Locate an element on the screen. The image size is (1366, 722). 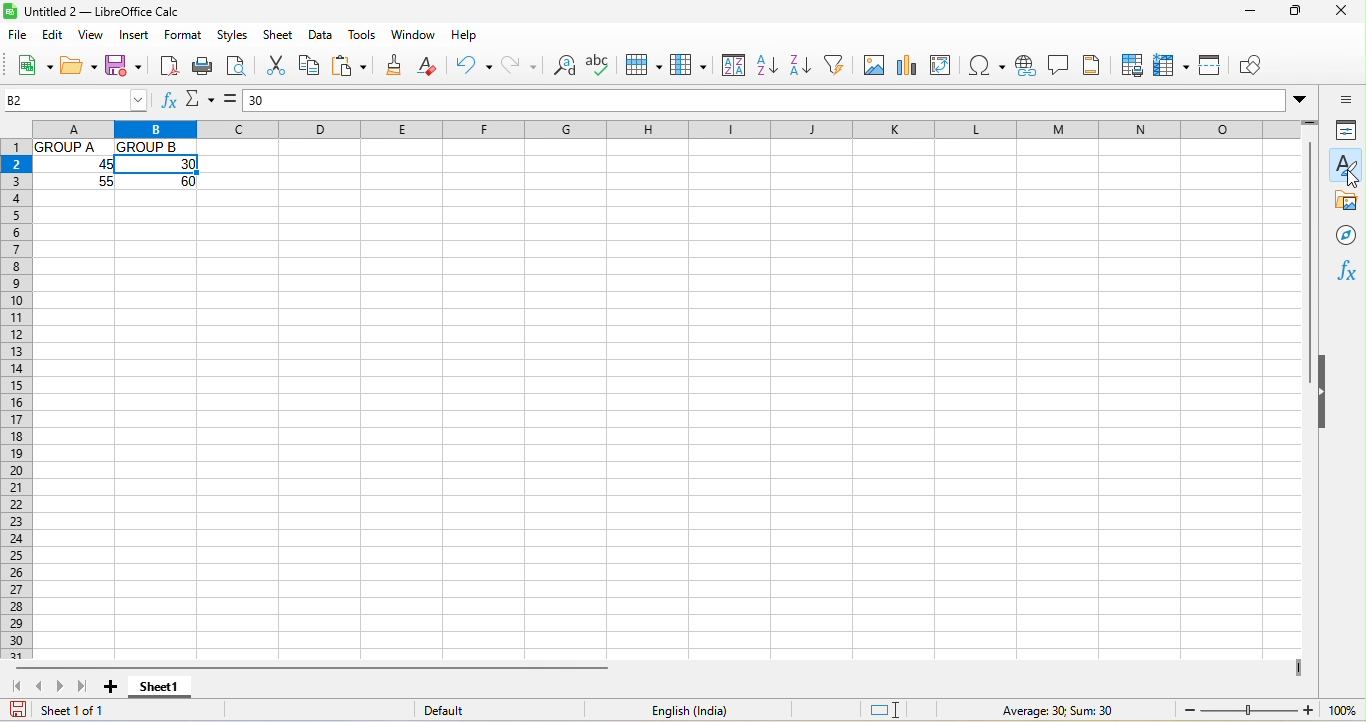
help is located at coordinates (465, 36).